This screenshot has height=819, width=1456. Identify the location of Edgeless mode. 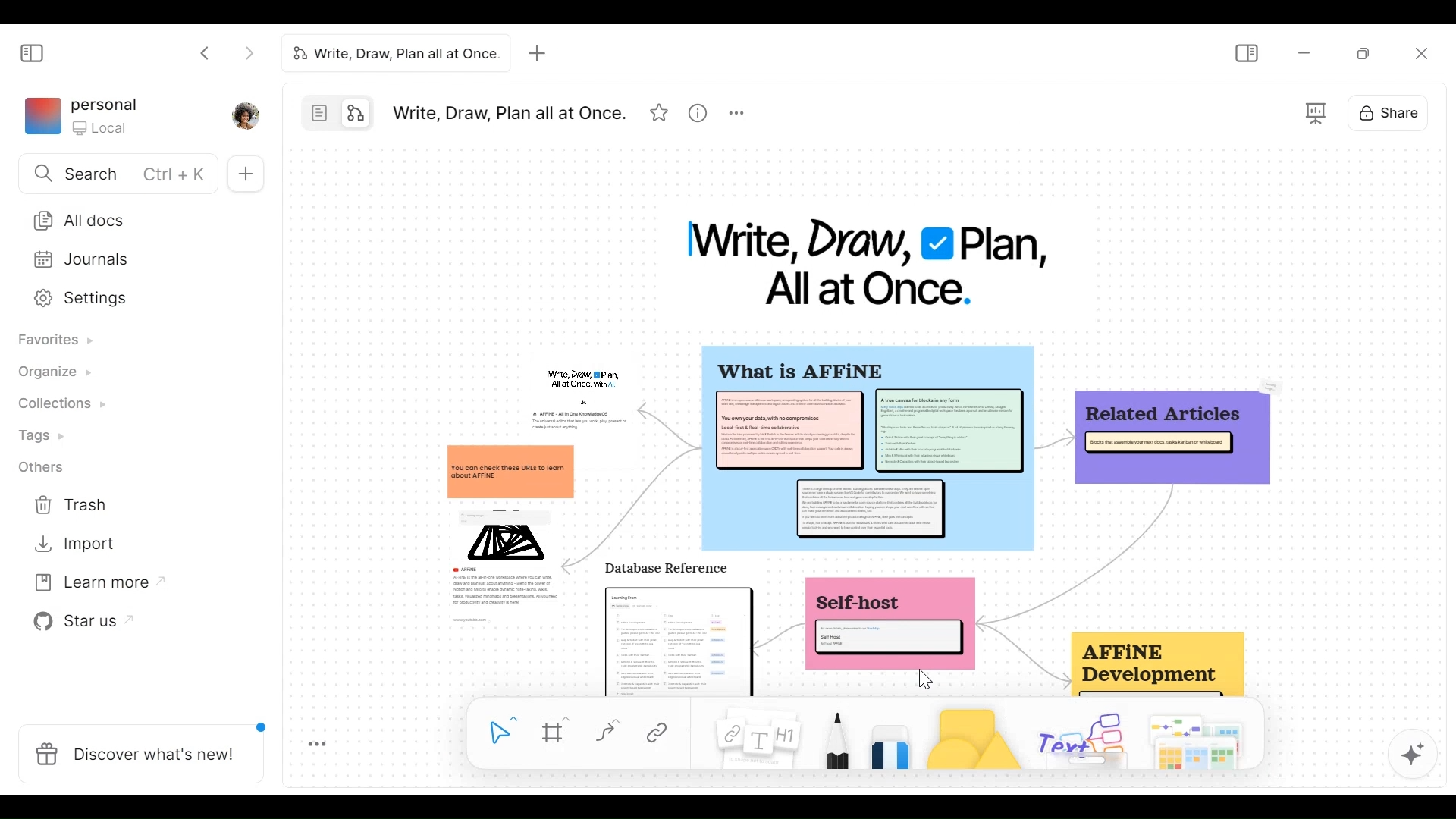
(358, 114).